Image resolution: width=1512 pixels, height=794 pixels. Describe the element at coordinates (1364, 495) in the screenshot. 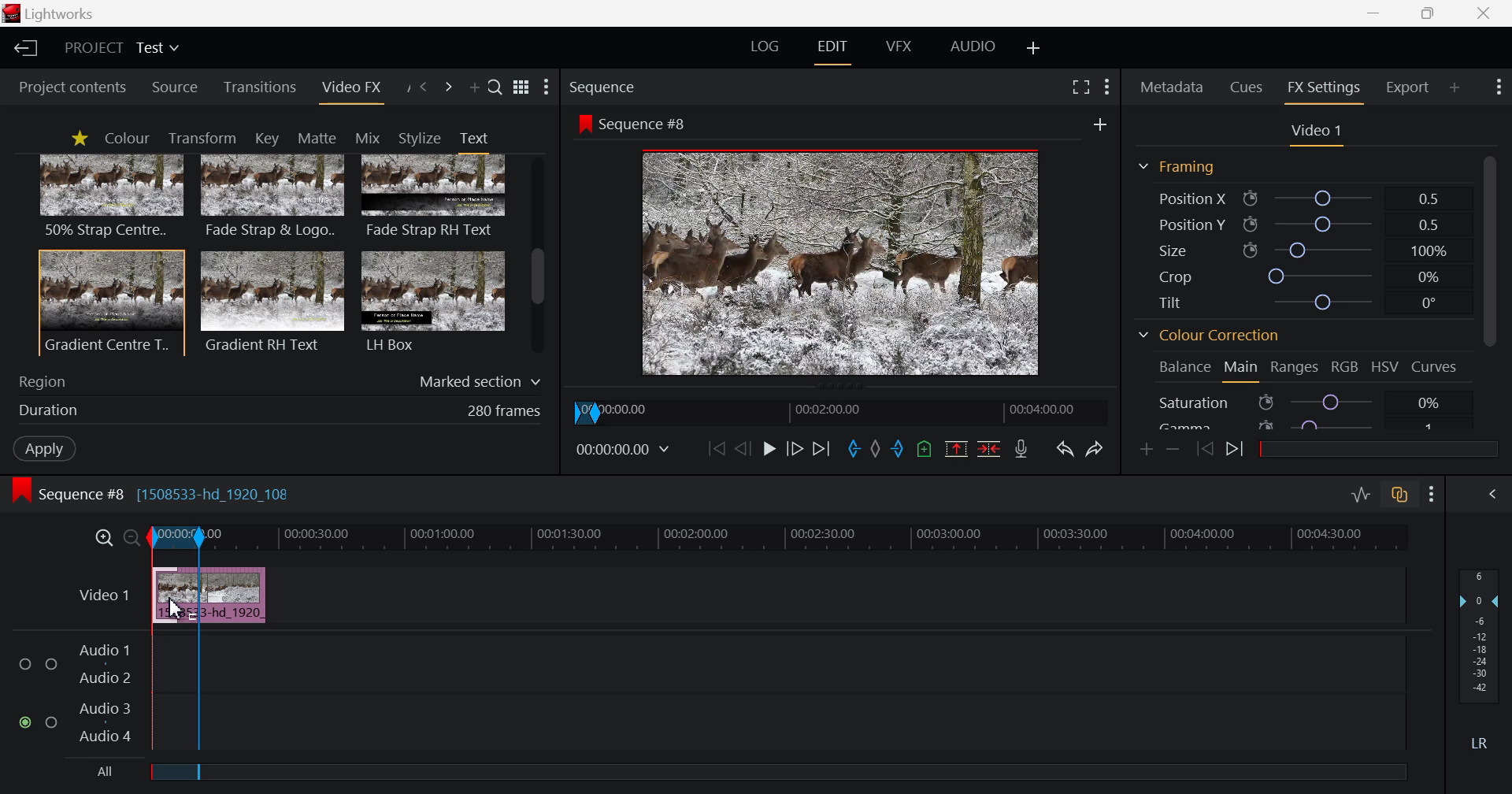

I see `Toggle audio levels editing` at that location.